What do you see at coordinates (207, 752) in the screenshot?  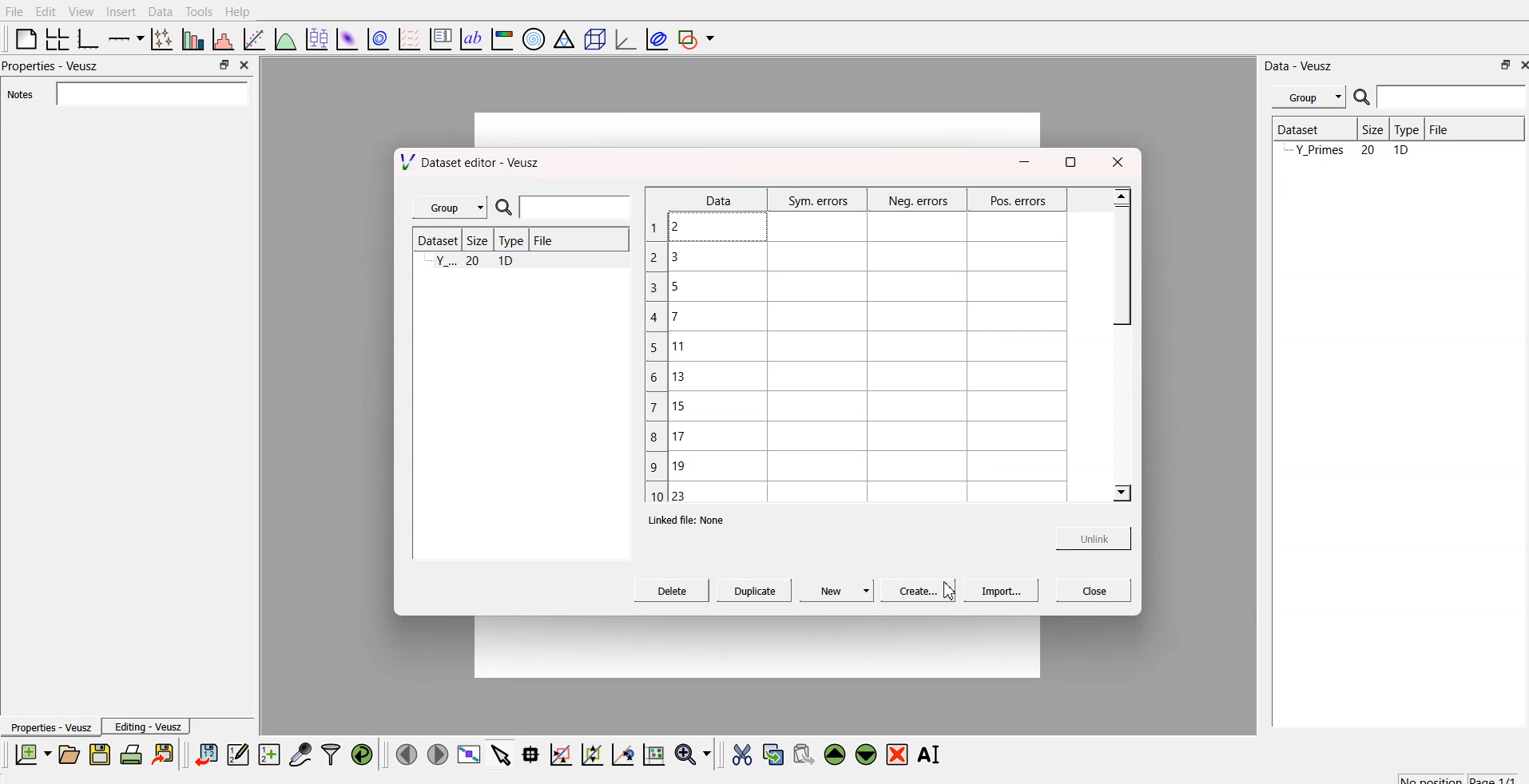 I see `import data` at bounding box center [207, 752].